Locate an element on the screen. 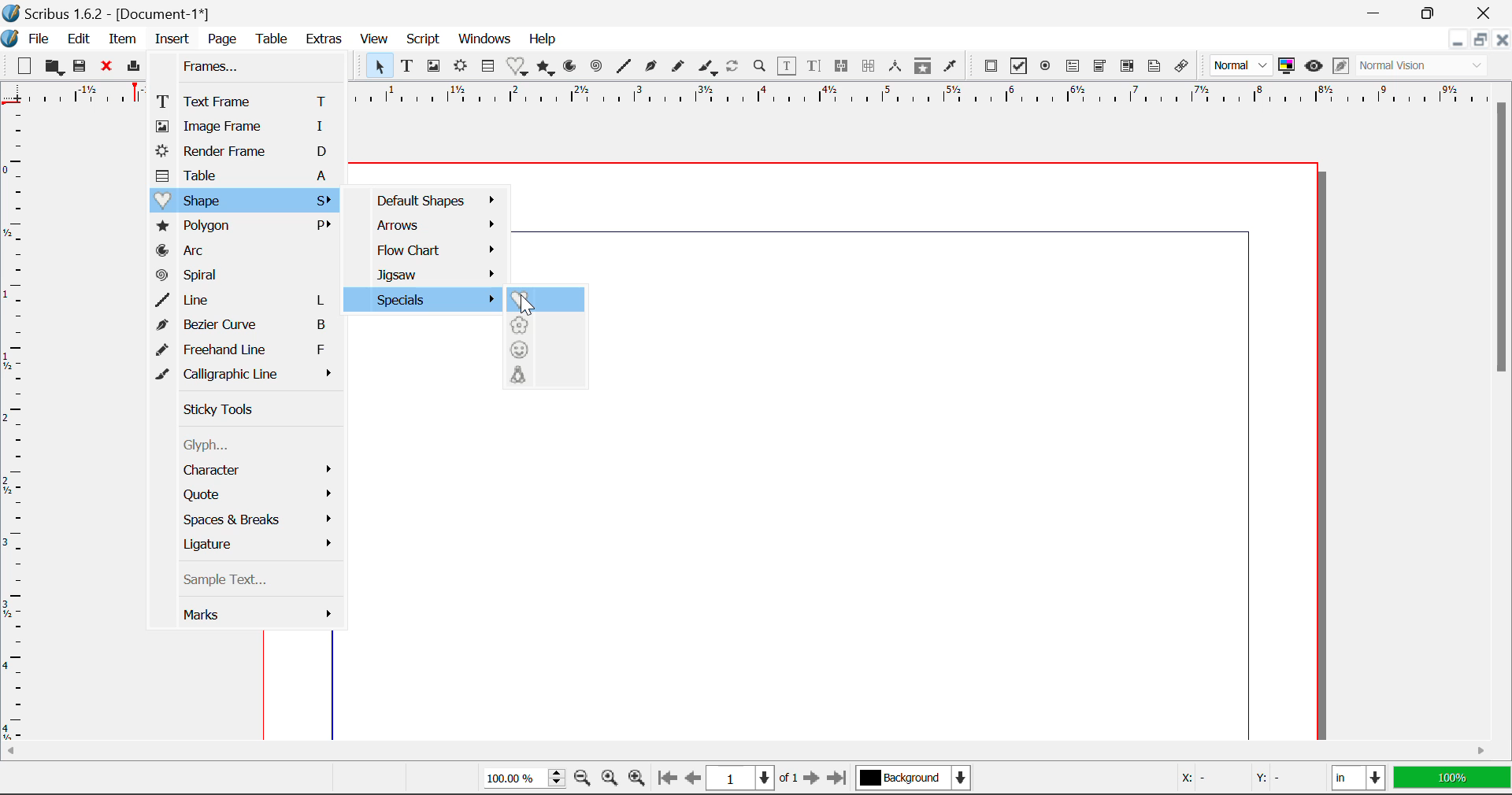  Polygon is located at coordinates (246, 227).